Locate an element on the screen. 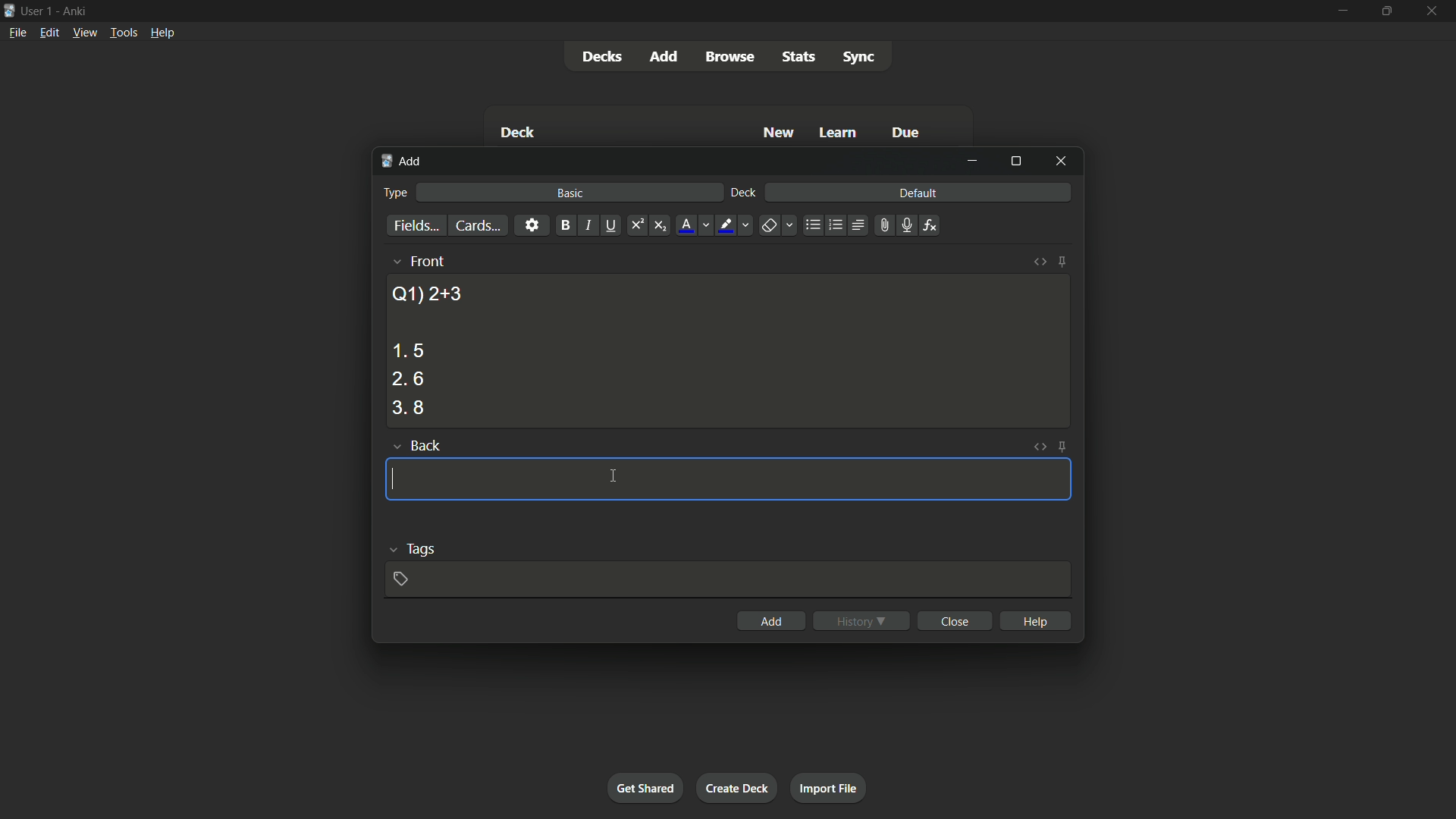 The image size is (1456, 819). add is located at coordinates (667, 55).